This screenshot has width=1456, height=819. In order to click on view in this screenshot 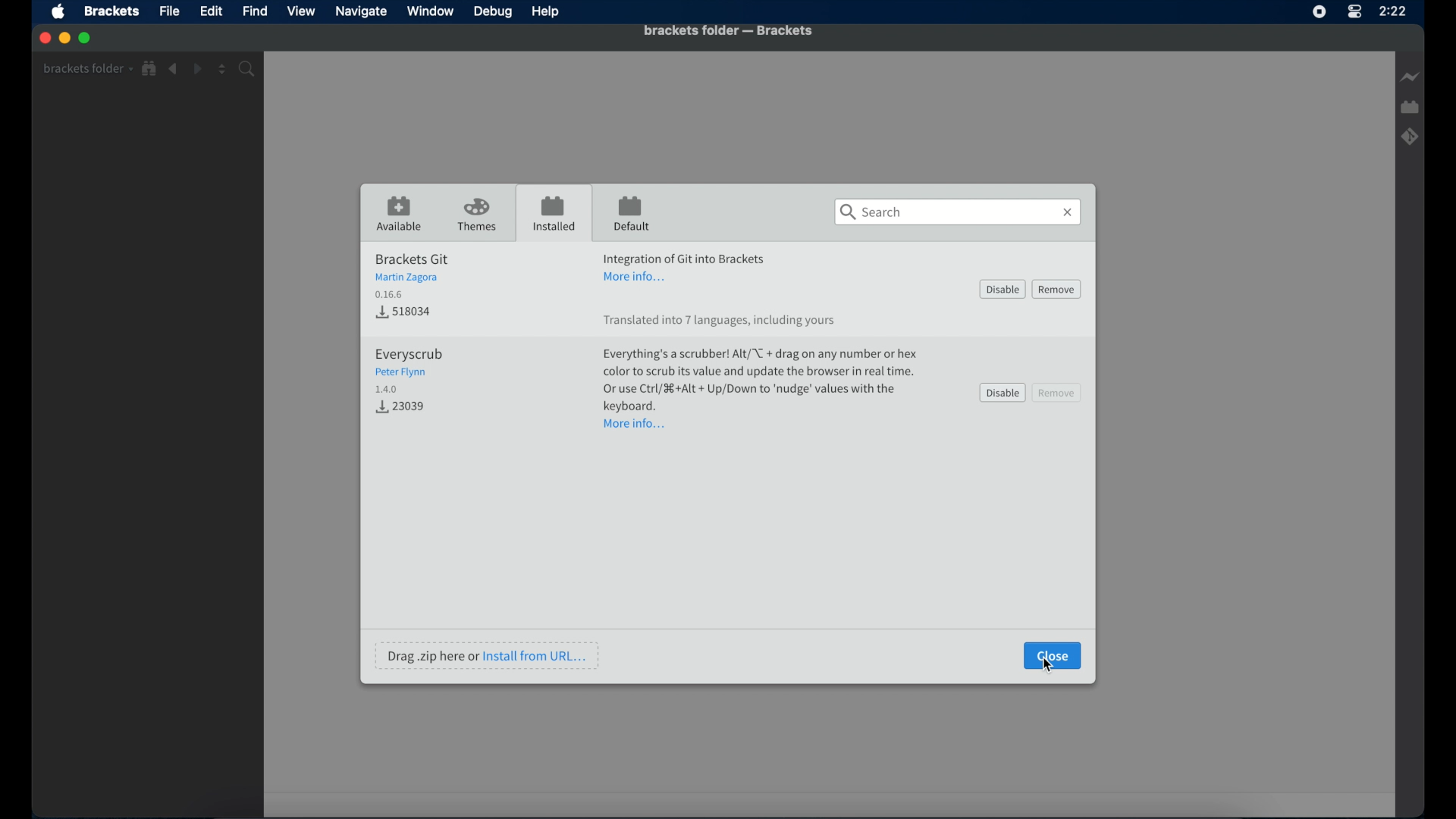, I will do `click(301, 11)`.